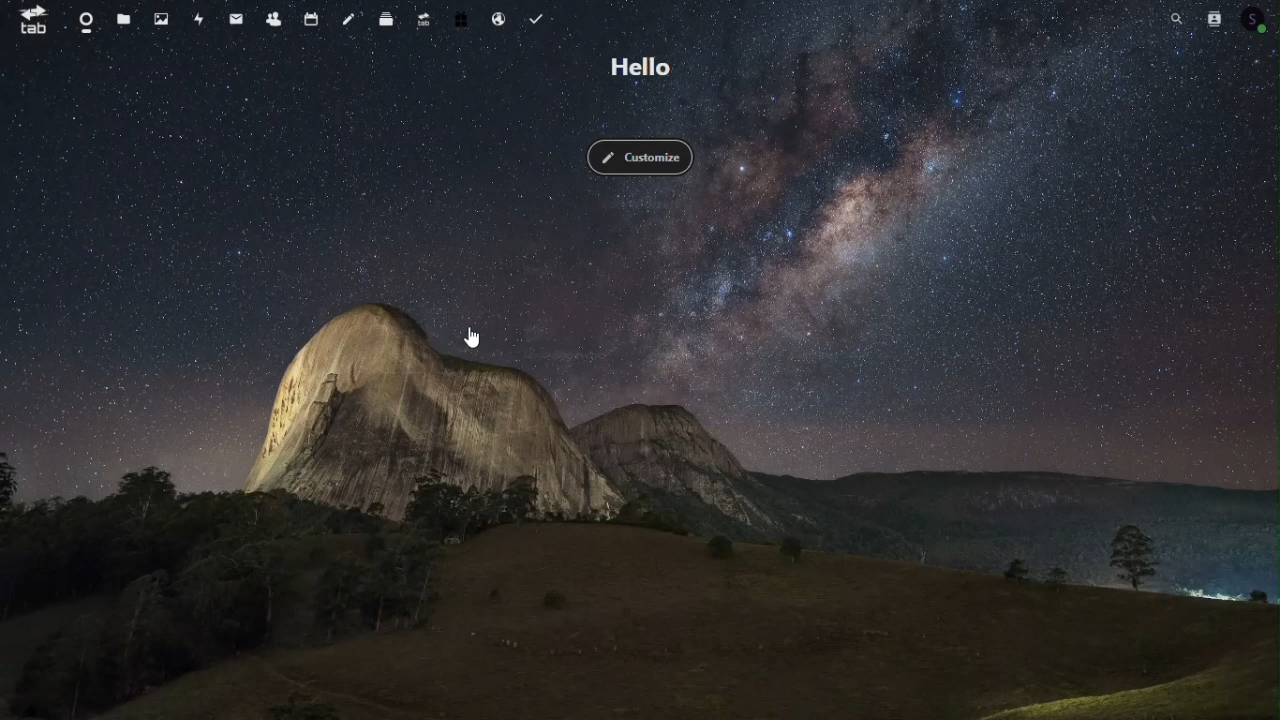 This screenshot has width=1280, height=720. Describe the element at coordinates (33, 22) in the screenshot. I see `tab` at that location.